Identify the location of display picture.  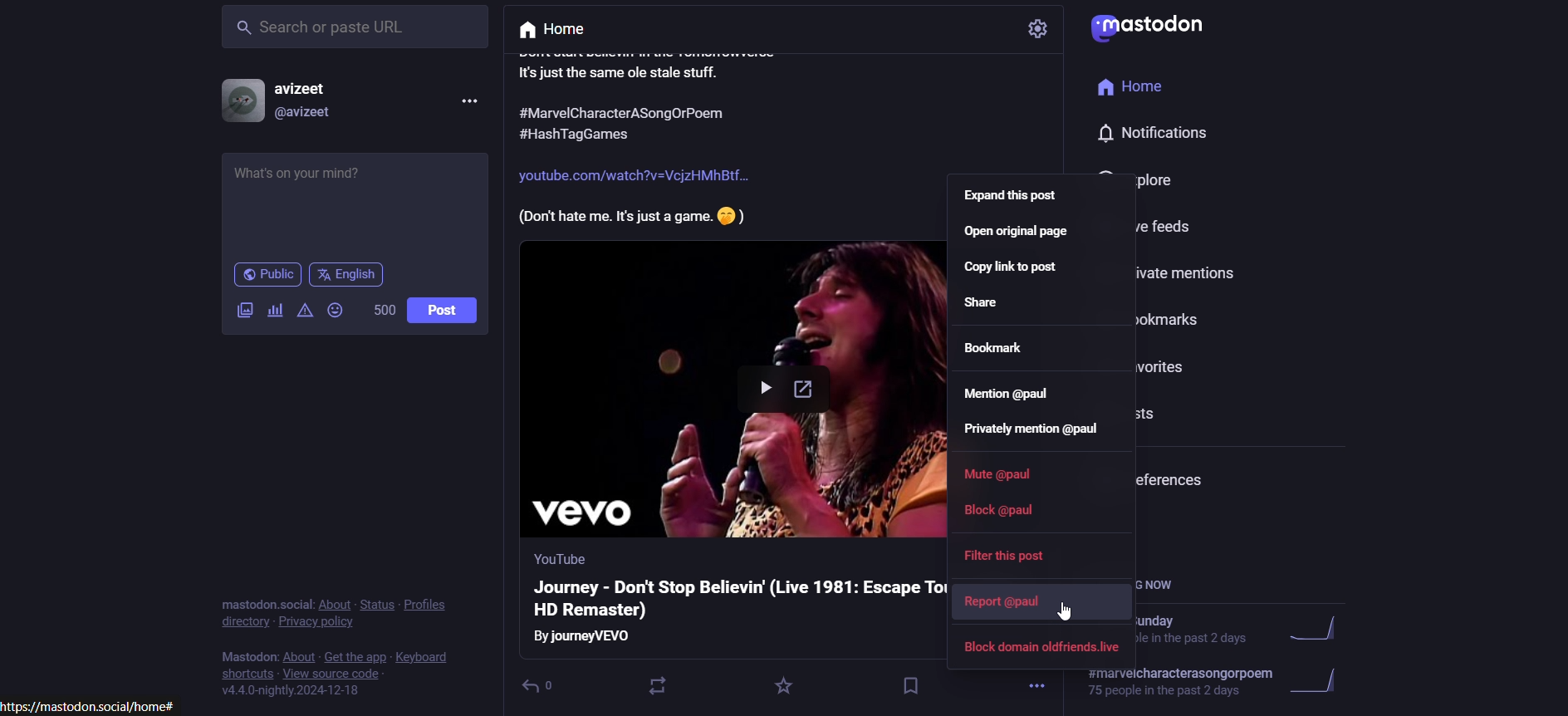
(239, 101).